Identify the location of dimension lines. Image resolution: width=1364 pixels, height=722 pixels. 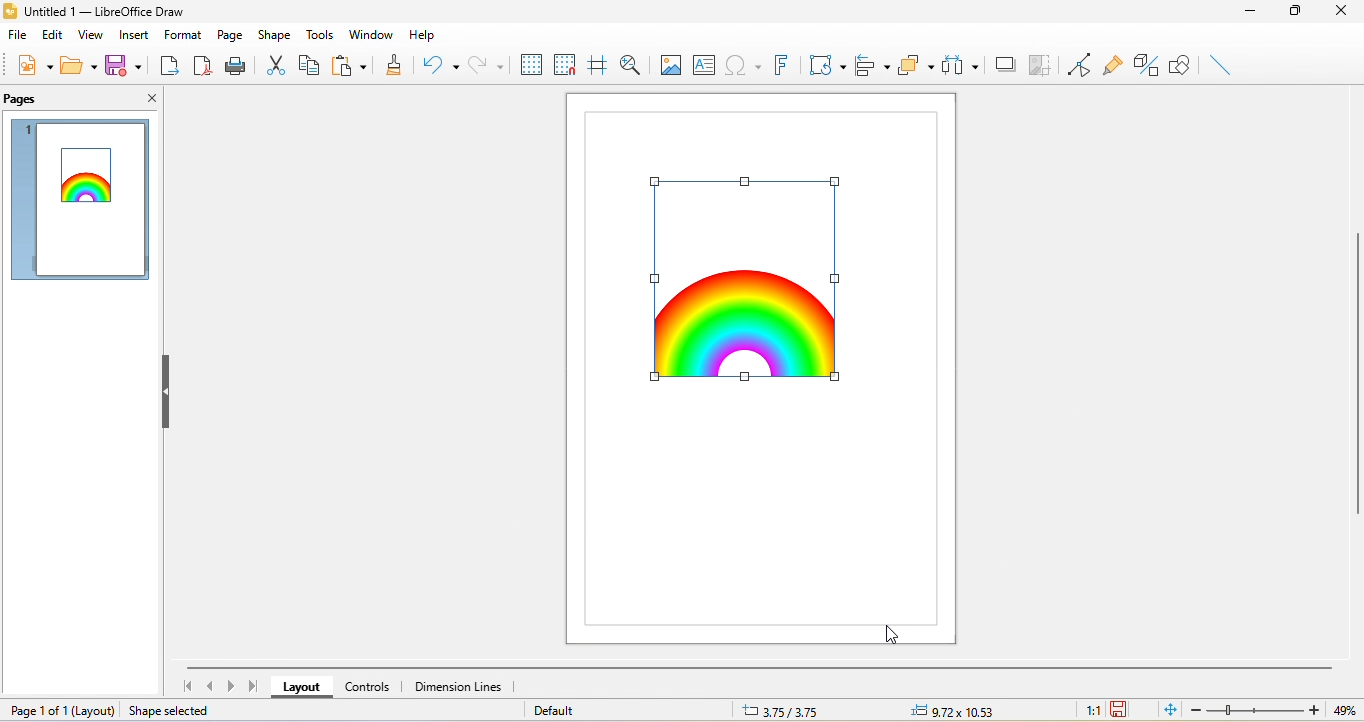
(463, 686).